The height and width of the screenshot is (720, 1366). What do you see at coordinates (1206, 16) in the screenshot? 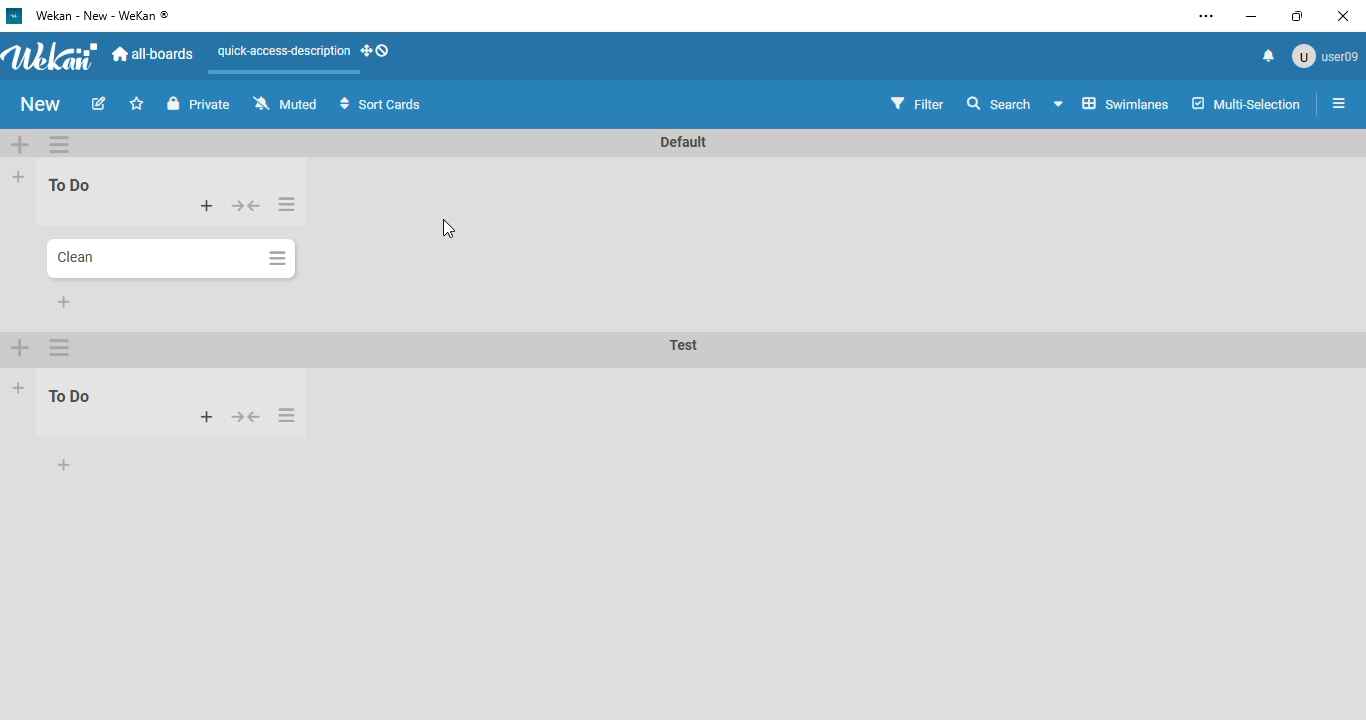
I see `settings and more` at bounding box center [1206, 16].